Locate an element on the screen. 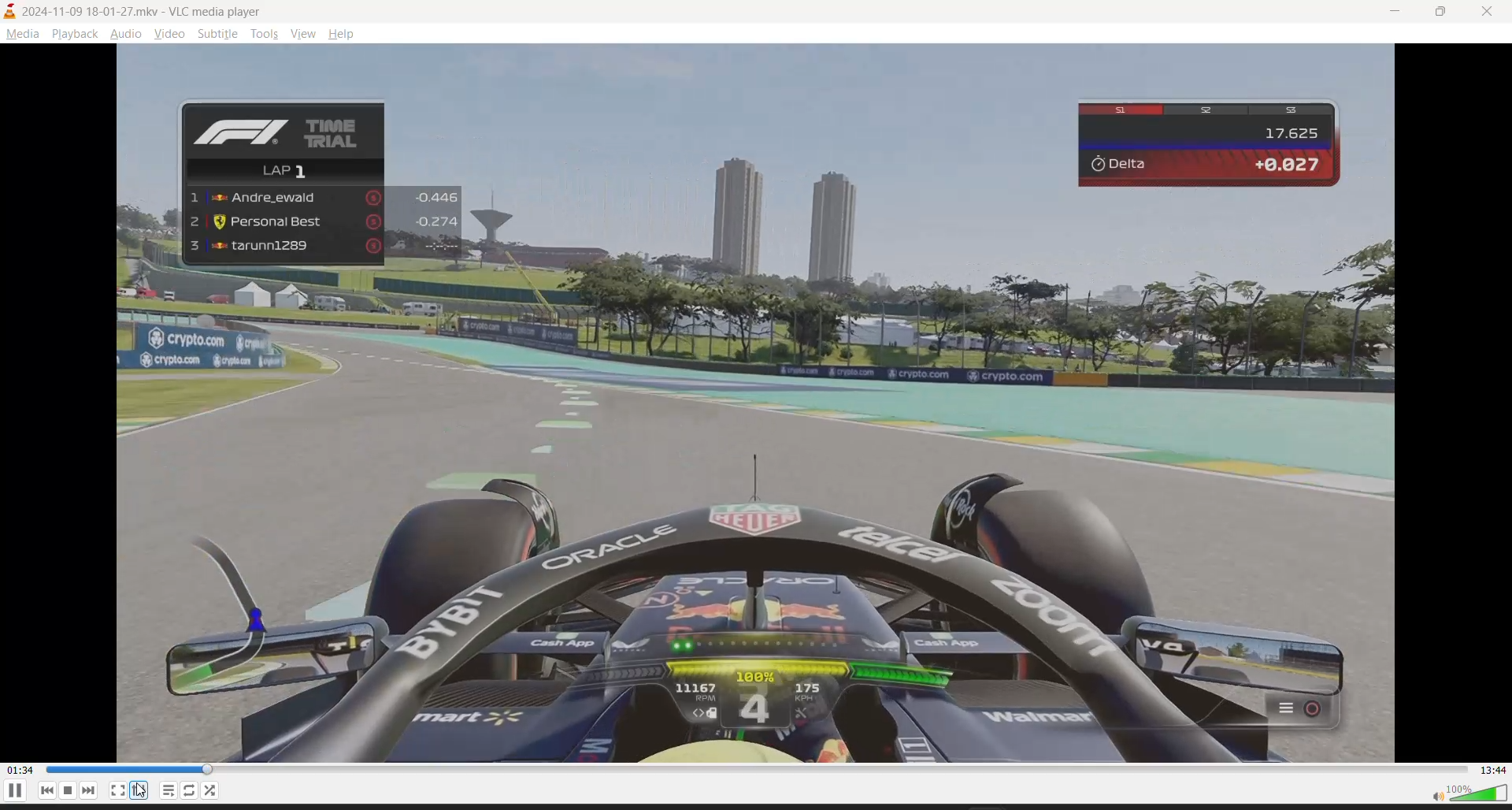 The height and width of the screenshot is (810, 1512). total track time is located at coordinates (1490, 768).